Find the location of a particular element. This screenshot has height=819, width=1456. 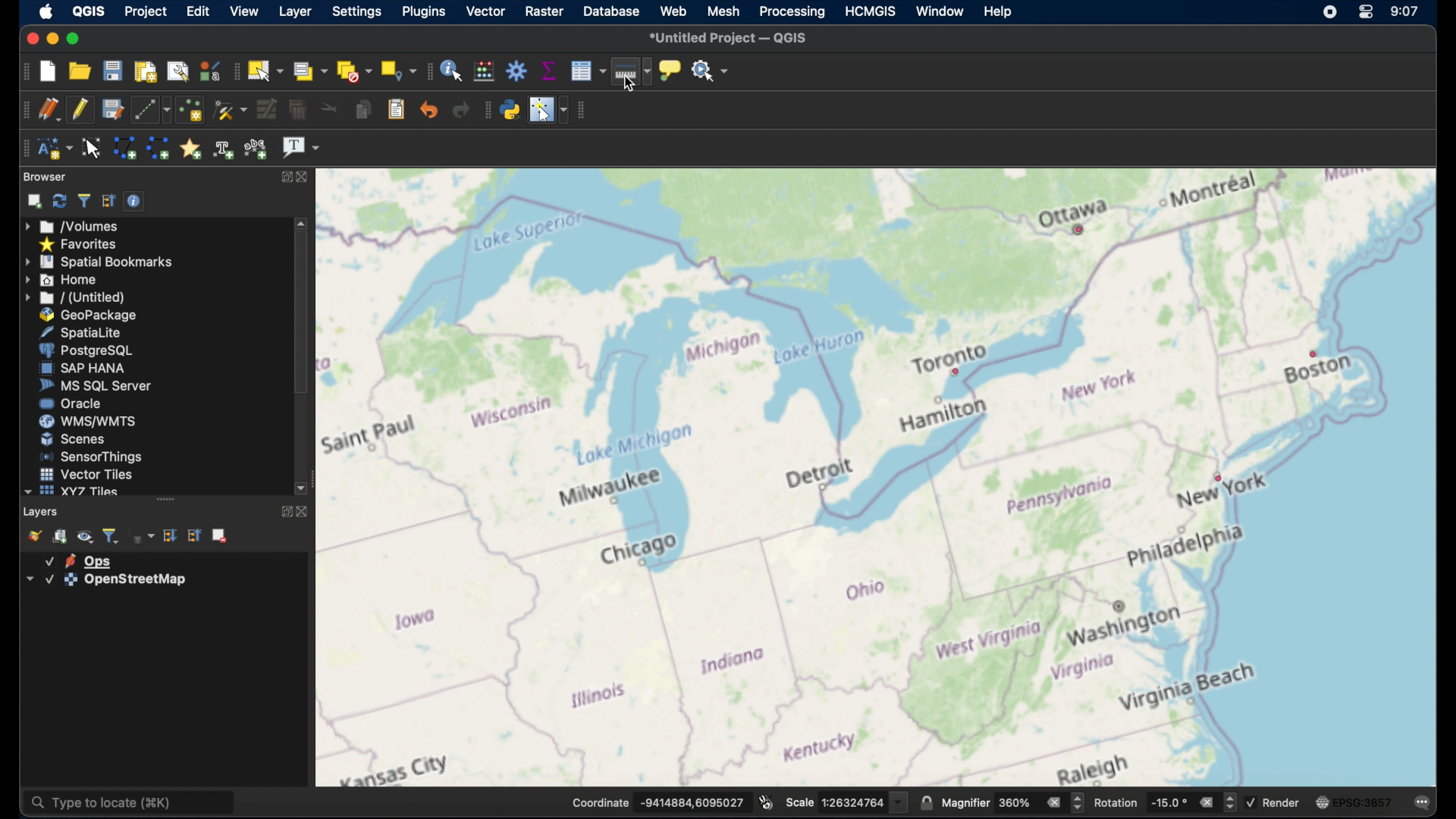

coordinate is located at coordinates (656, 801).